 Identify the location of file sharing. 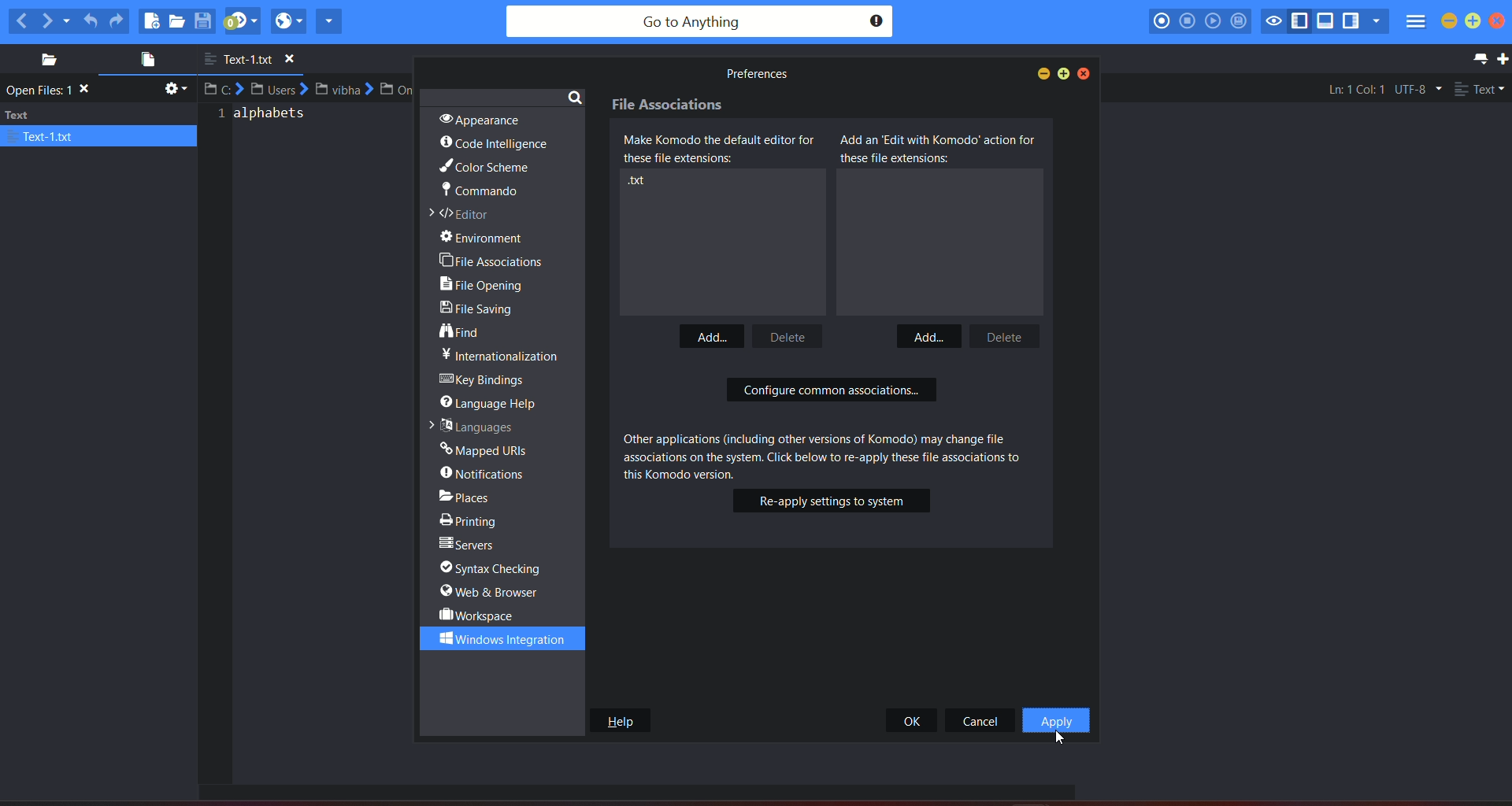
(482, 311).